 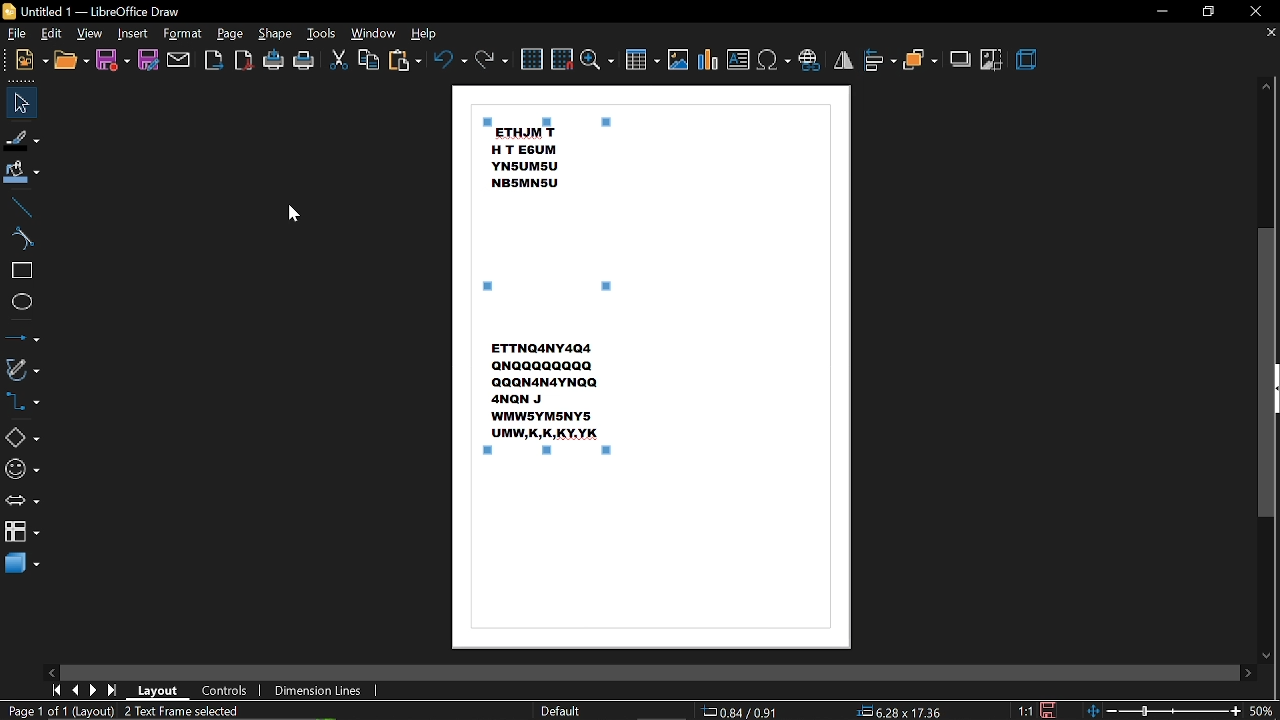 What do you see at coordinates (369, 59) in the screenshot?
I see `copy ` at bounding box center [369, 59].